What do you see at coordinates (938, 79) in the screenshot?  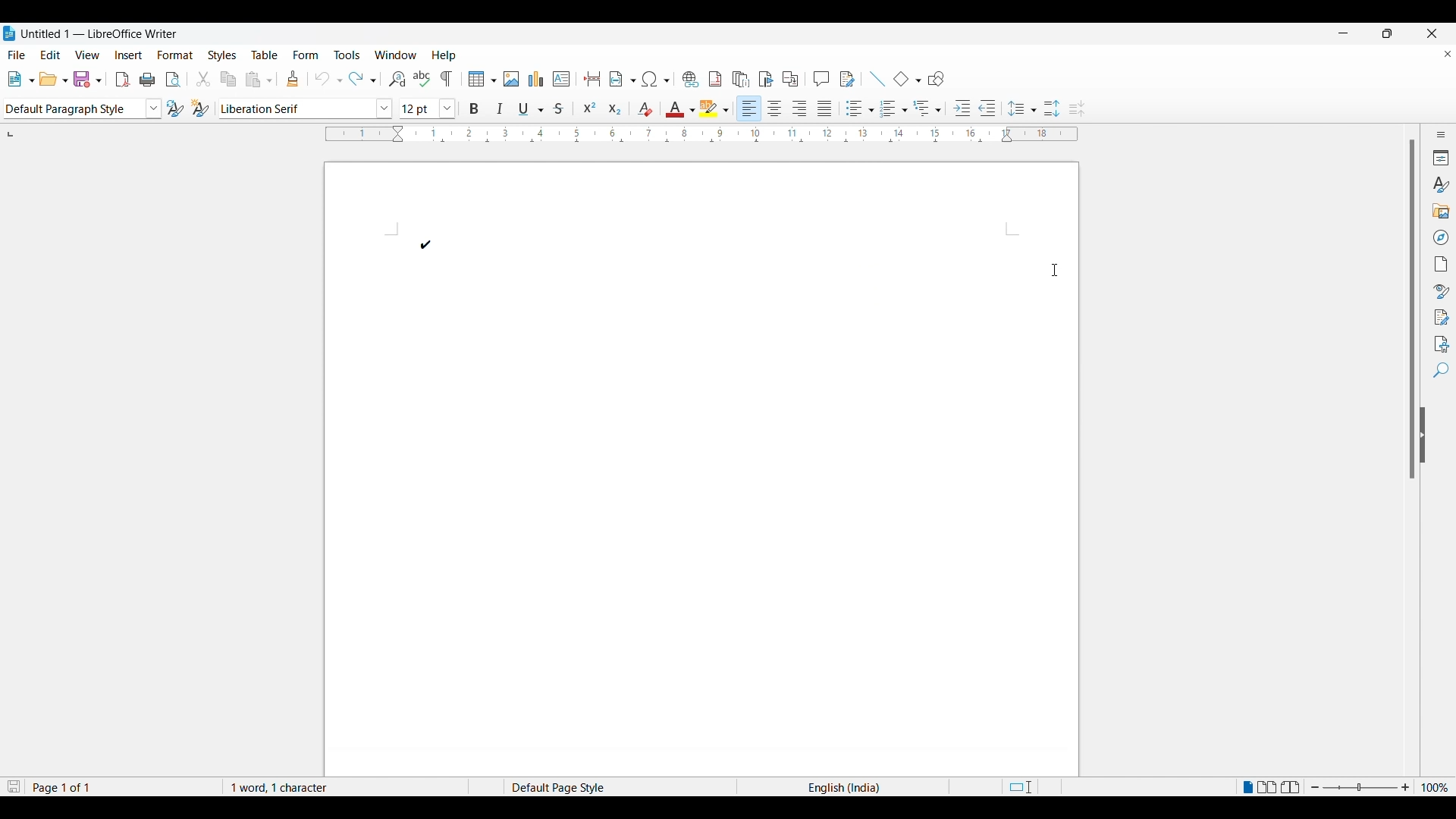 I see `show drawing function` at bounding box center [938, 79].